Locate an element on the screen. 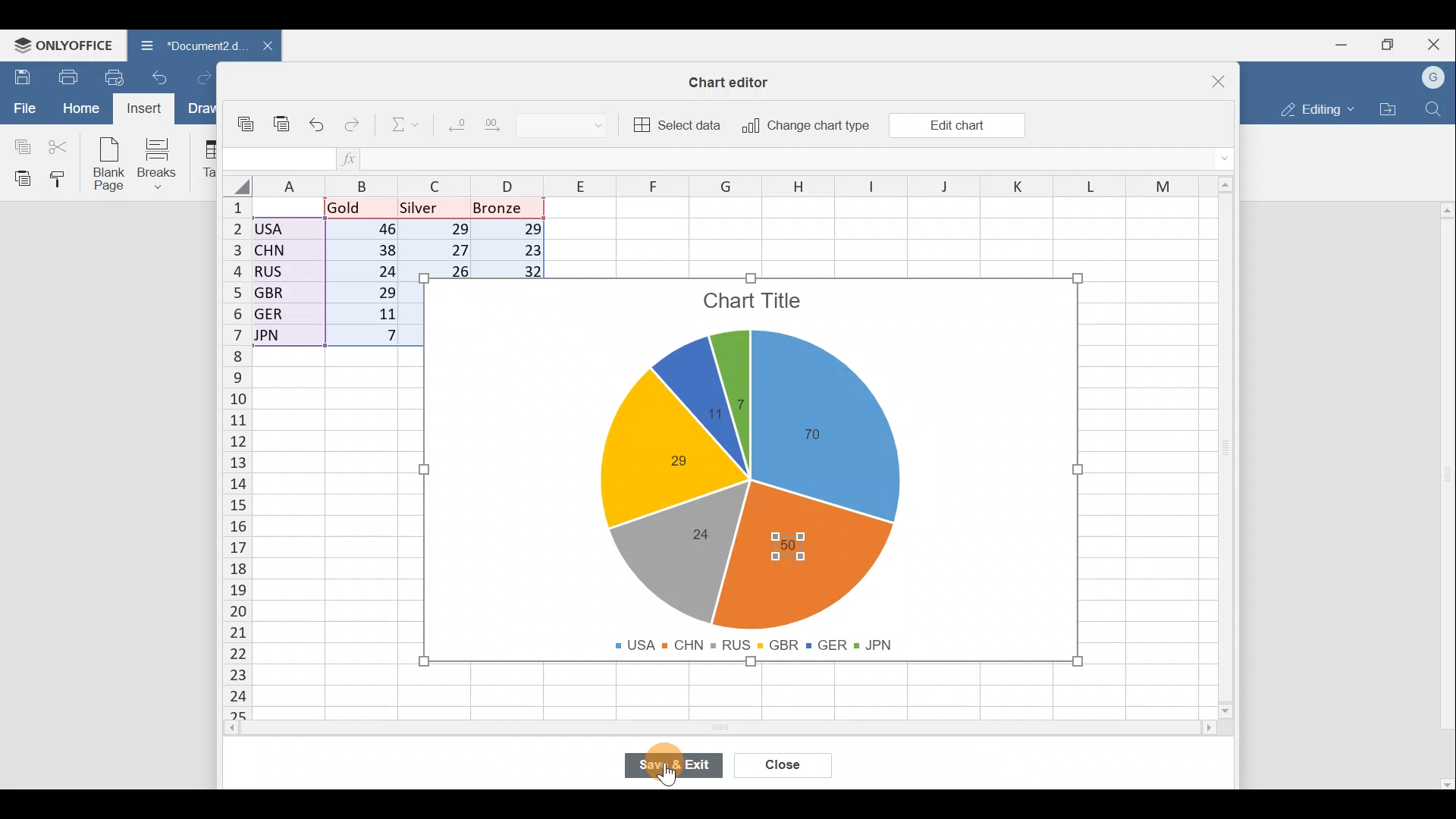  Paste is located at coordinates (283, 129).